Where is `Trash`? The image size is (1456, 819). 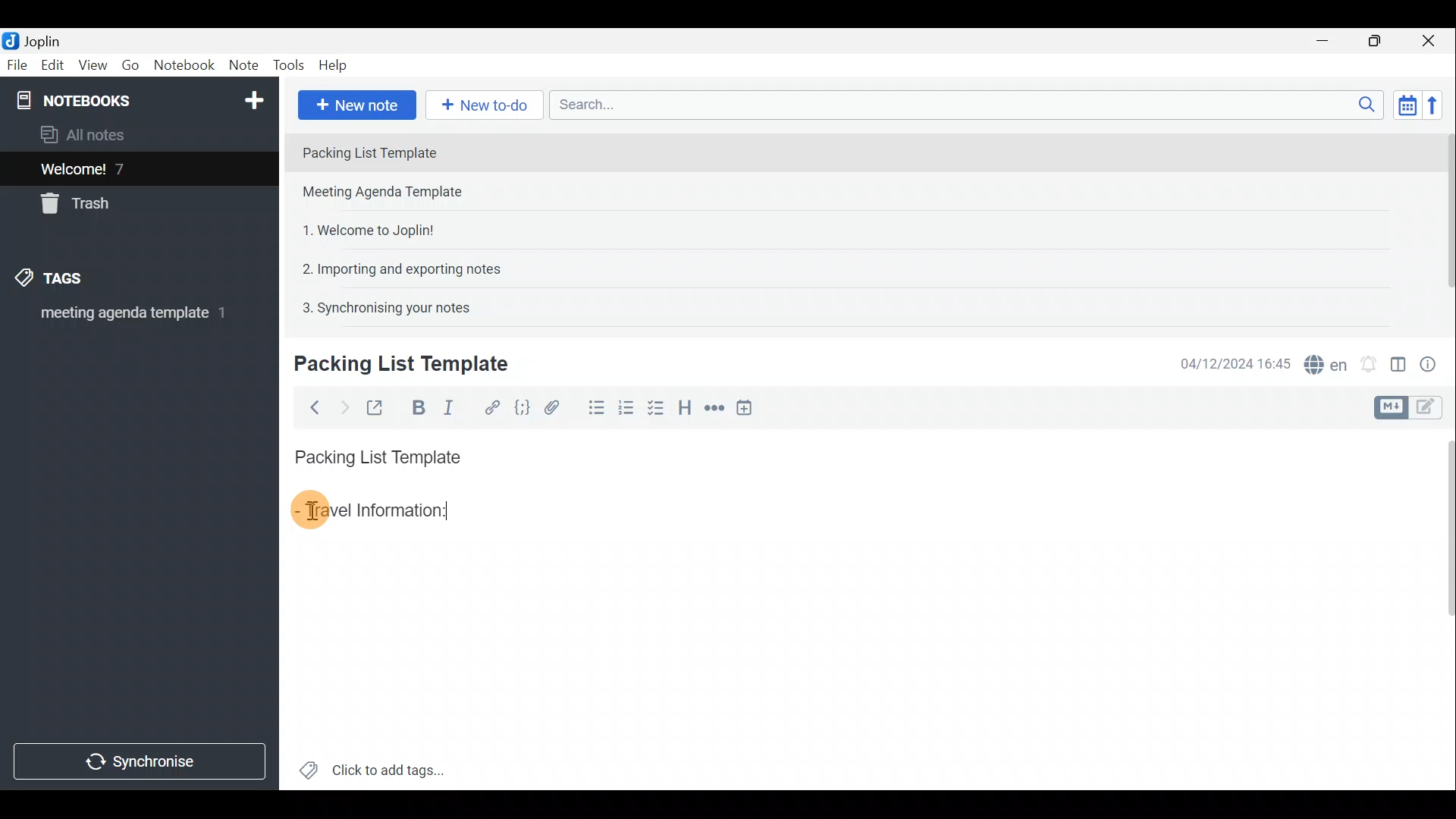 Trash is located at coordinates (81, 206).